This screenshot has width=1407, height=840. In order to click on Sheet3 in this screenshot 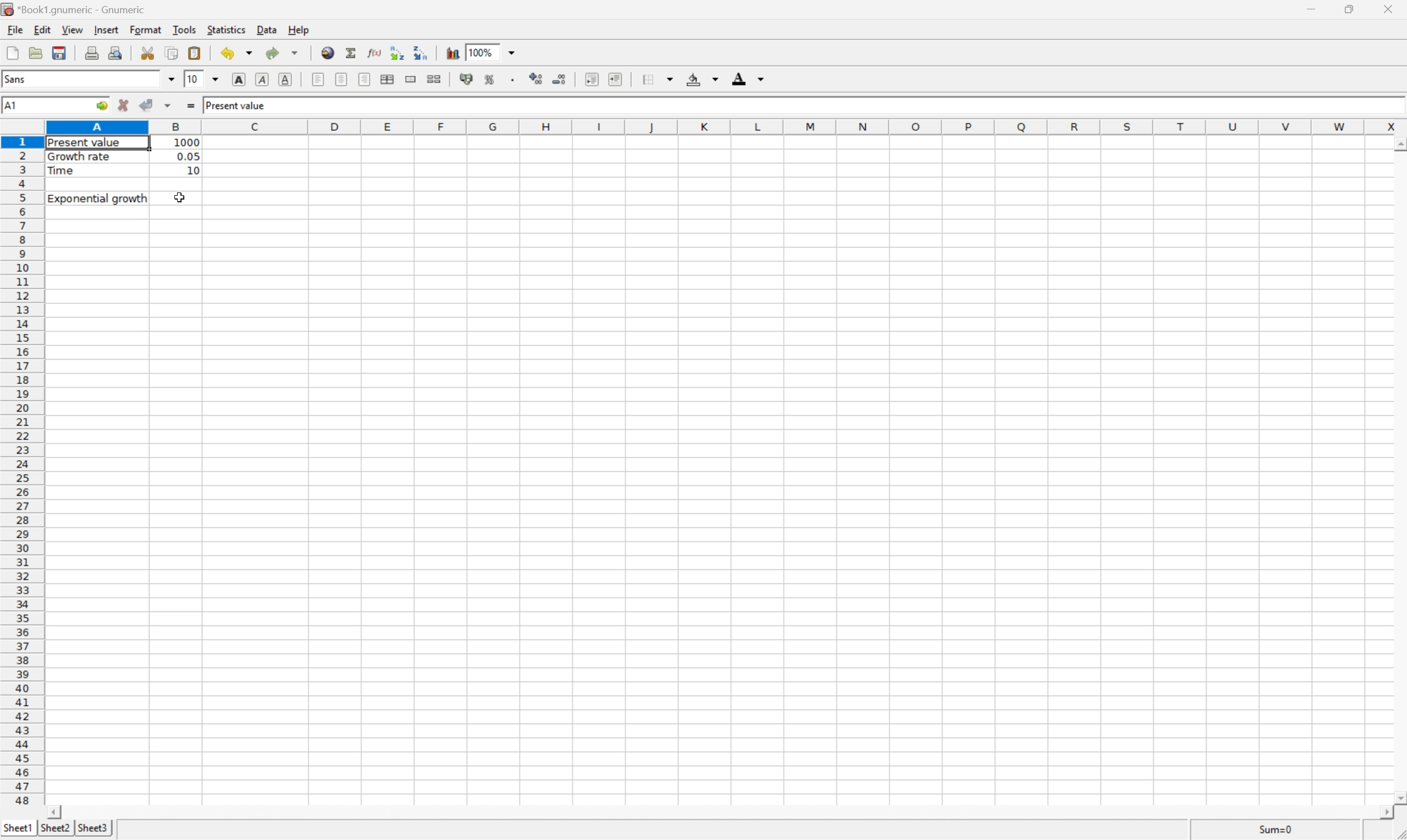, I will do `click(94, 828)`.